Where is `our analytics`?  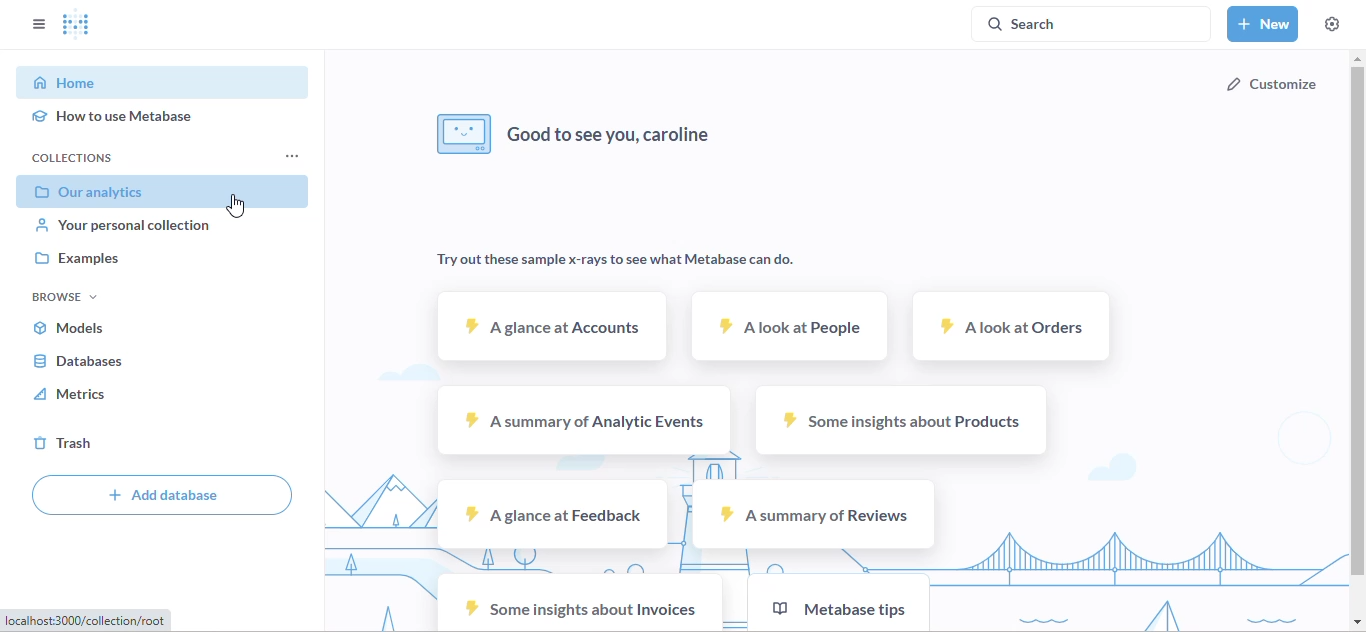 our analytics is located at coordinates (100, 191).